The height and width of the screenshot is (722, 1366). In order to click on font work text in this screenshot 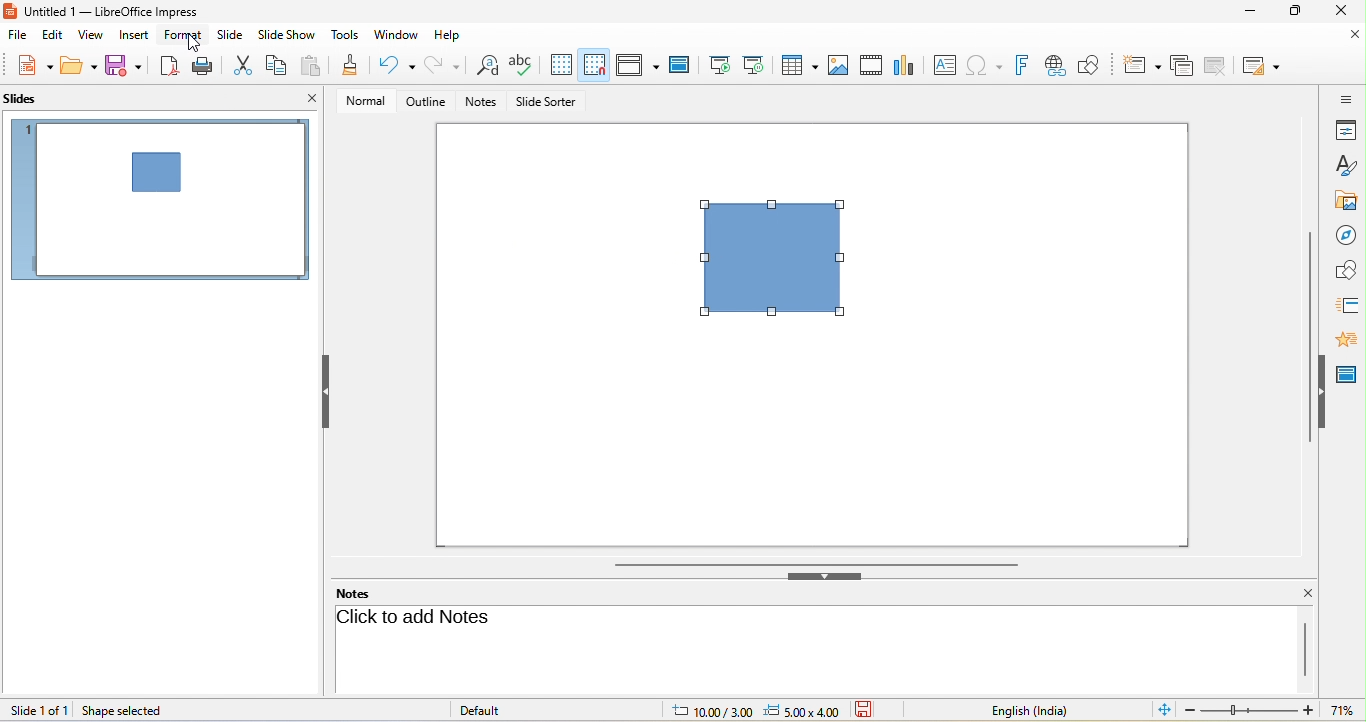, I will do `click(1026, 67)`.